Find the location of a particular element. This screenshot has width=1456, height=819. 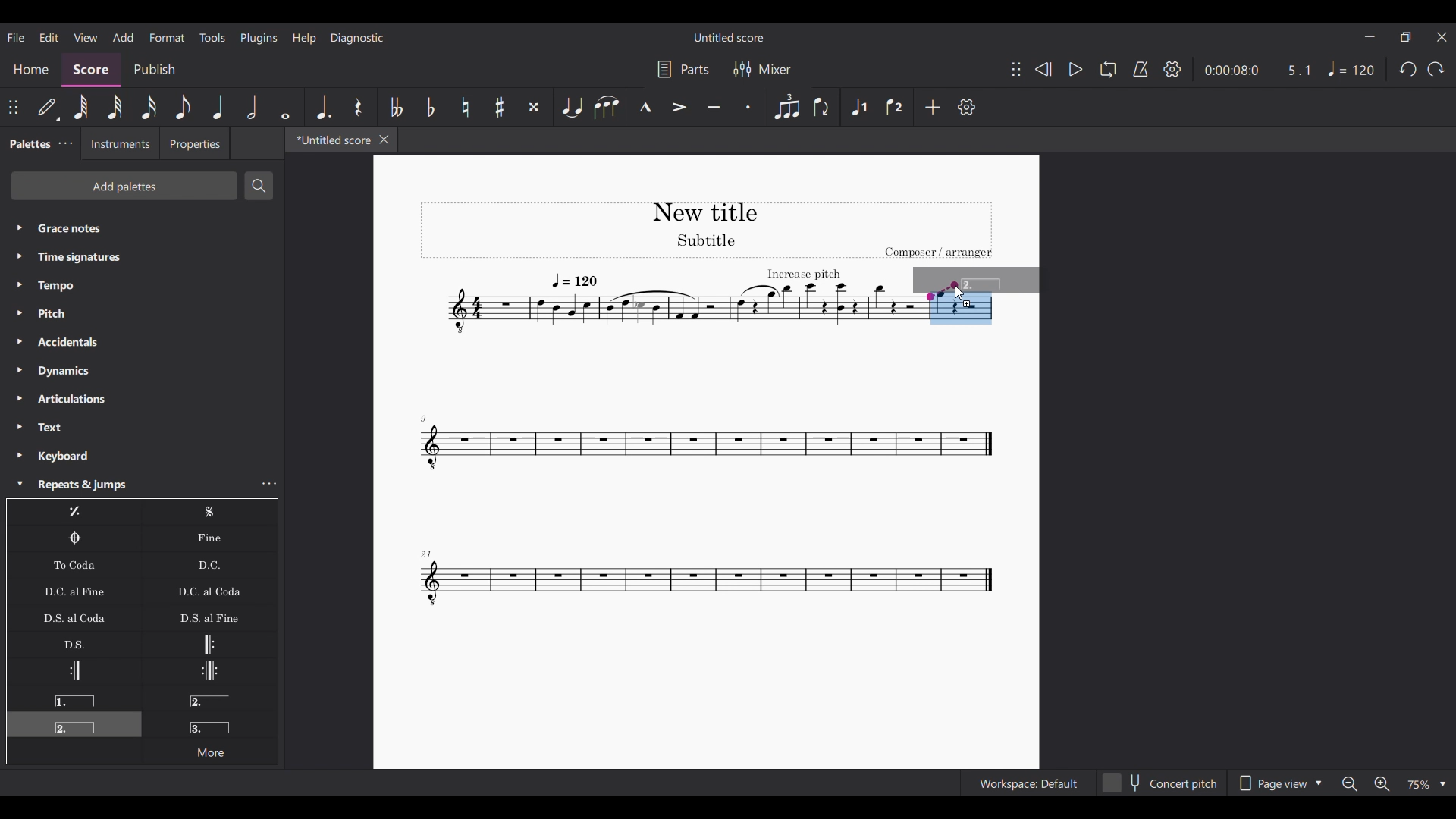

Toggle double flat is located at coordinates (394, 107).